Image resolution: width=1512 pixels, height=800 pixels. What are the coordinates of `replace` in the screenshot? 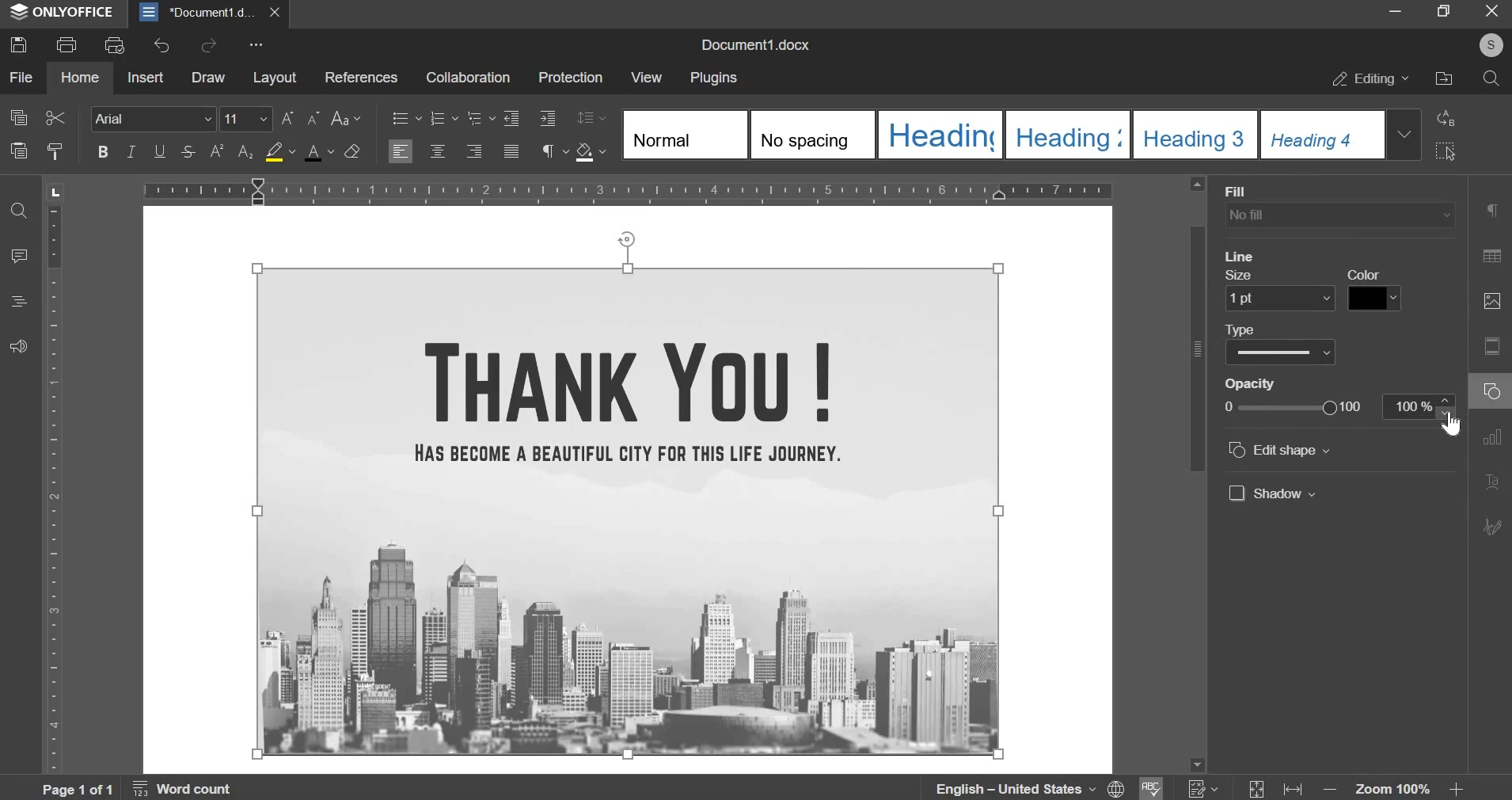 It's located at (1446, 117).